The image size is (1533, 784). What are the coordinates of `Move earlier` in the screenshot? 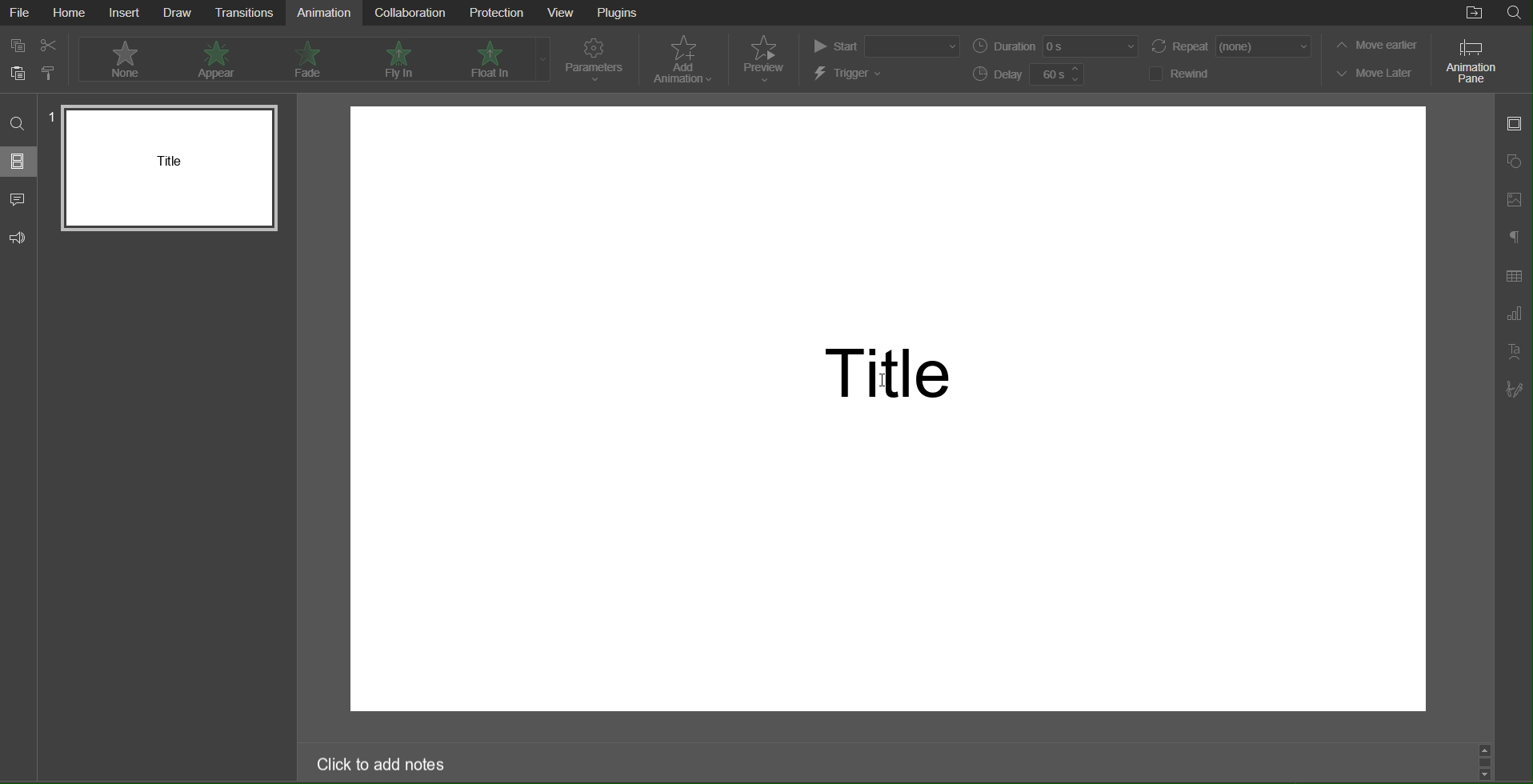 It's located at (1374, 46).